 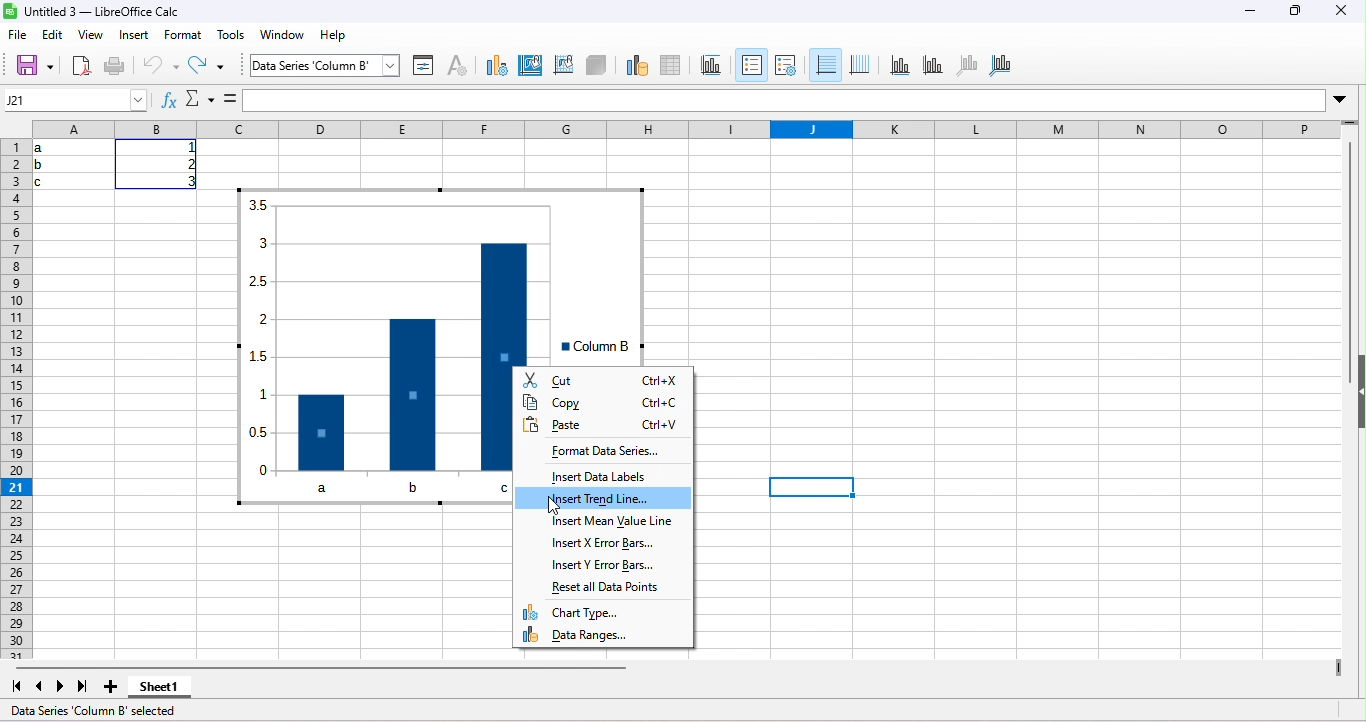 I want to click on select chart element, so click(x=385, y=64).